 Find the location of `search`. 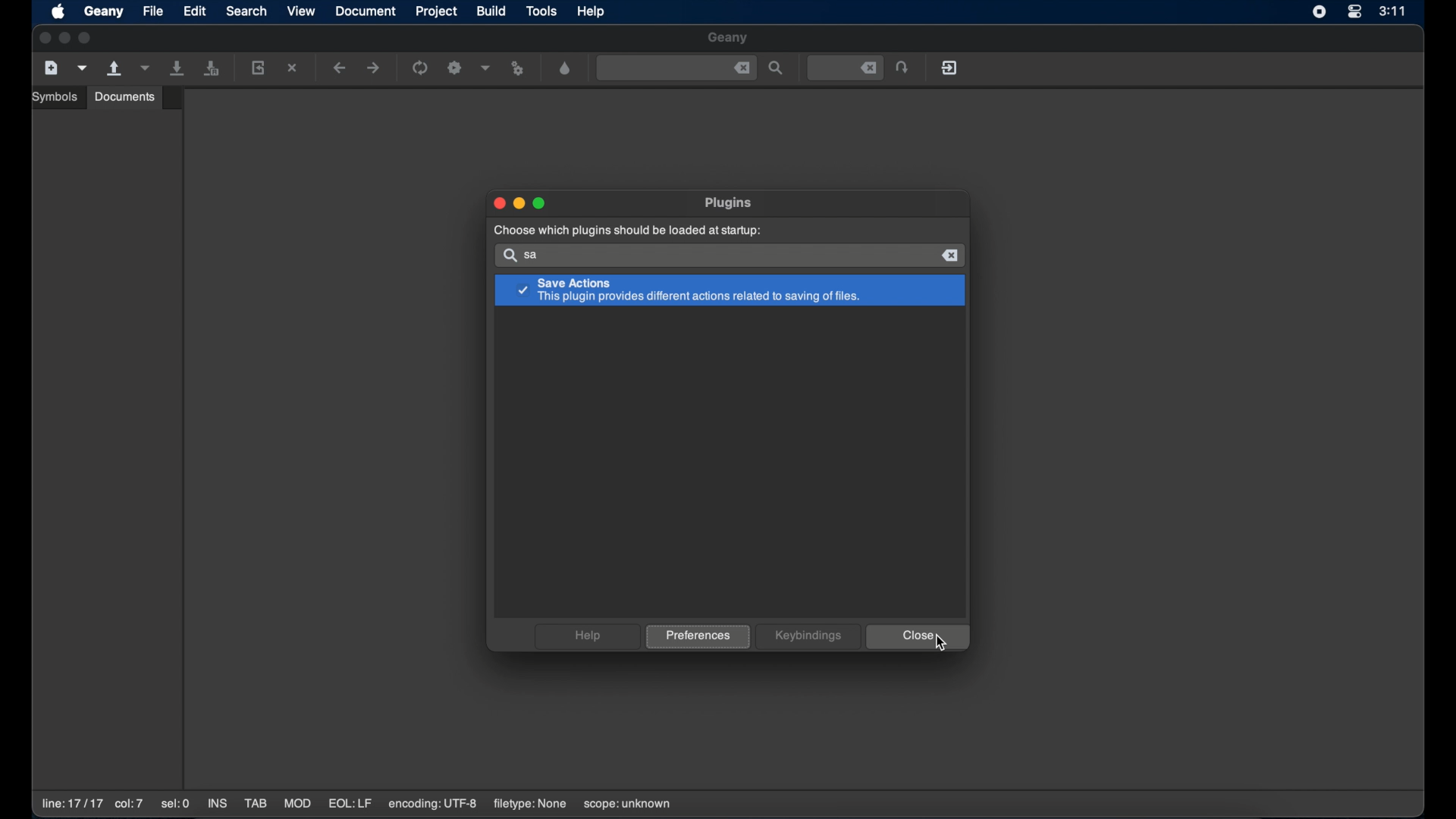

search is located at coordinates (508, 256).